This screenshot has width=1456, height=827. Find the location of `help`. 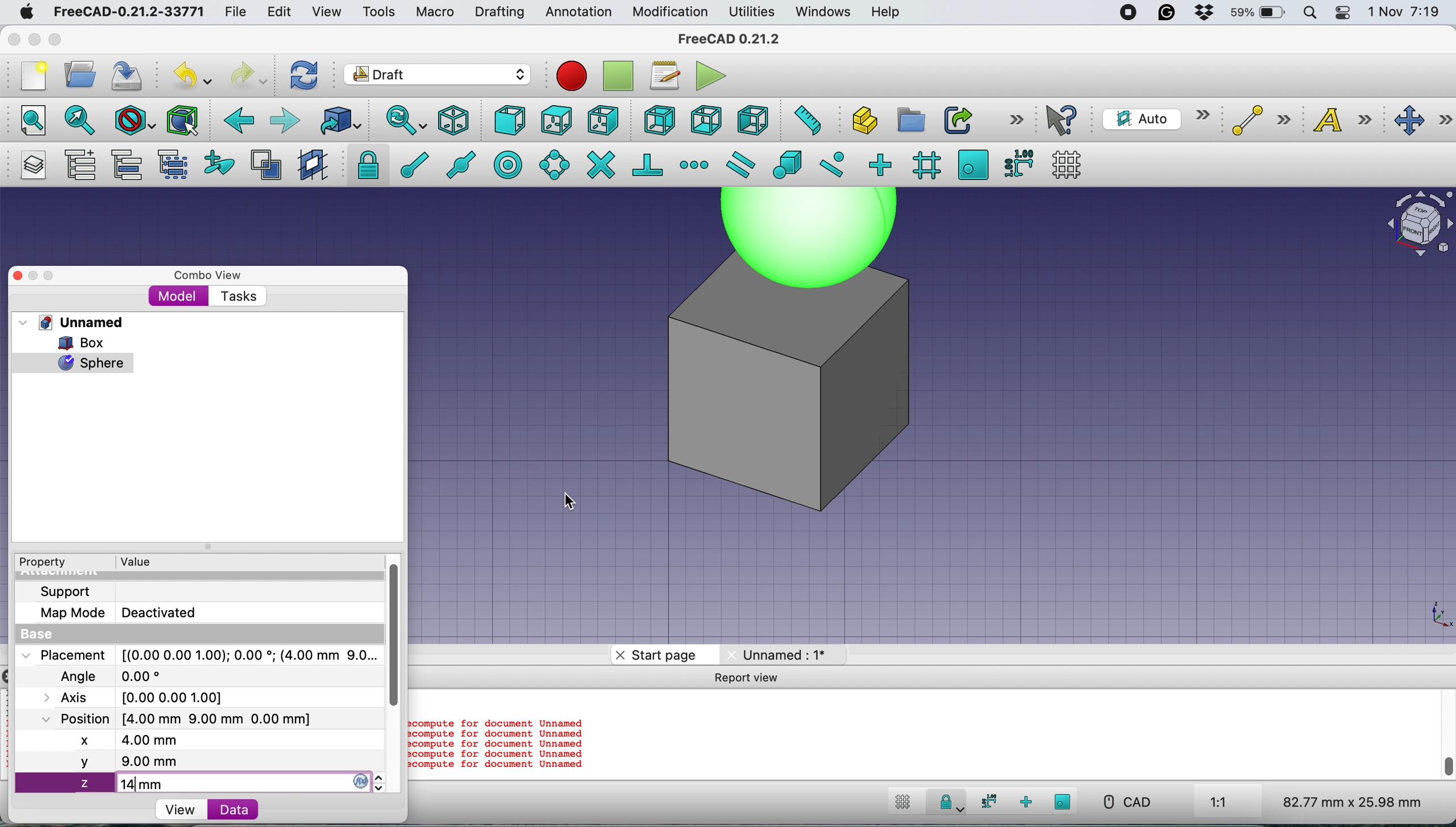

help is located at coordinates (887, 13).